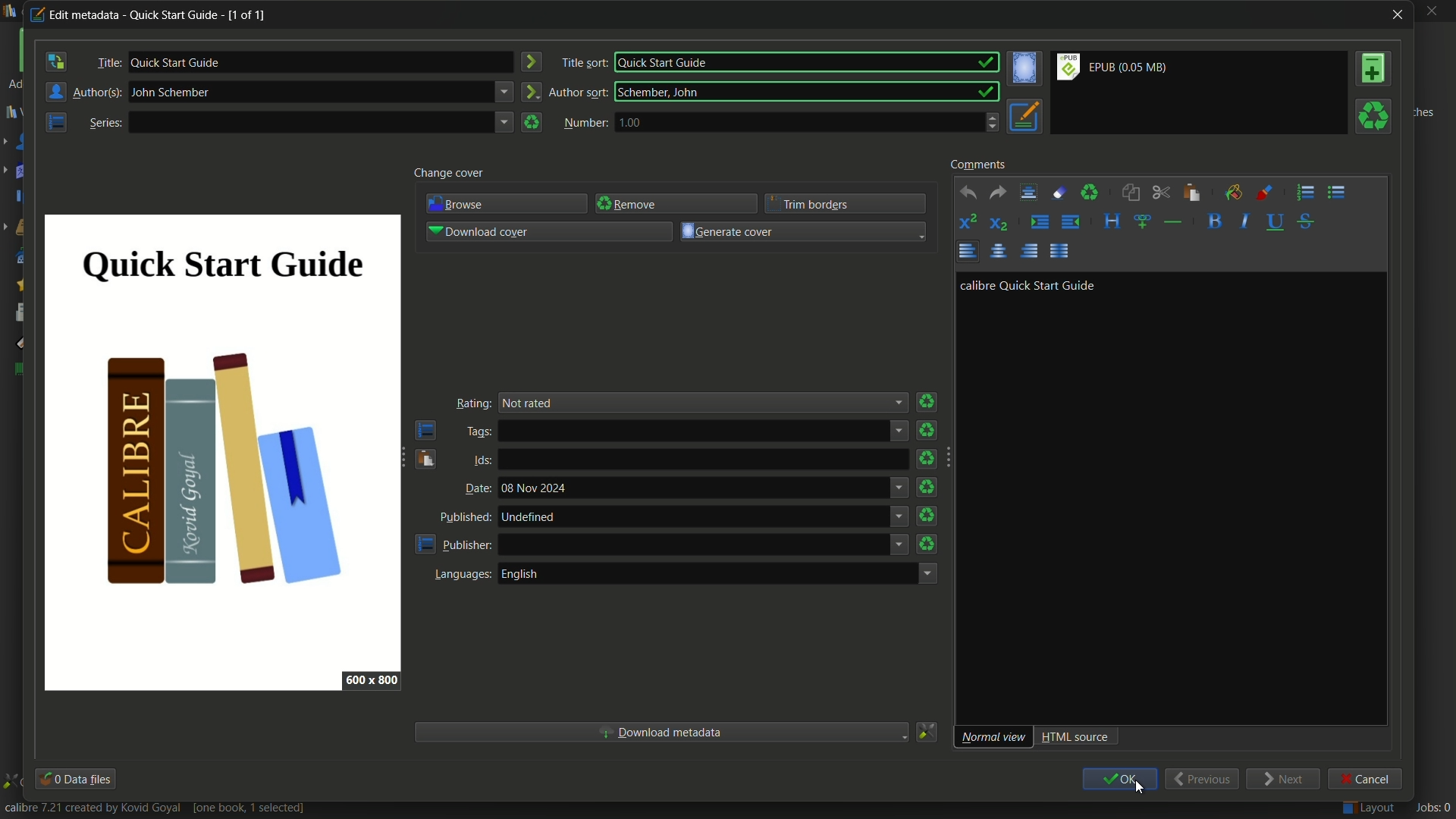  What do you see at coordinates (1071, 224) in the screenshot?
I see `decrease indentation` at bounding box center [1071, 224].